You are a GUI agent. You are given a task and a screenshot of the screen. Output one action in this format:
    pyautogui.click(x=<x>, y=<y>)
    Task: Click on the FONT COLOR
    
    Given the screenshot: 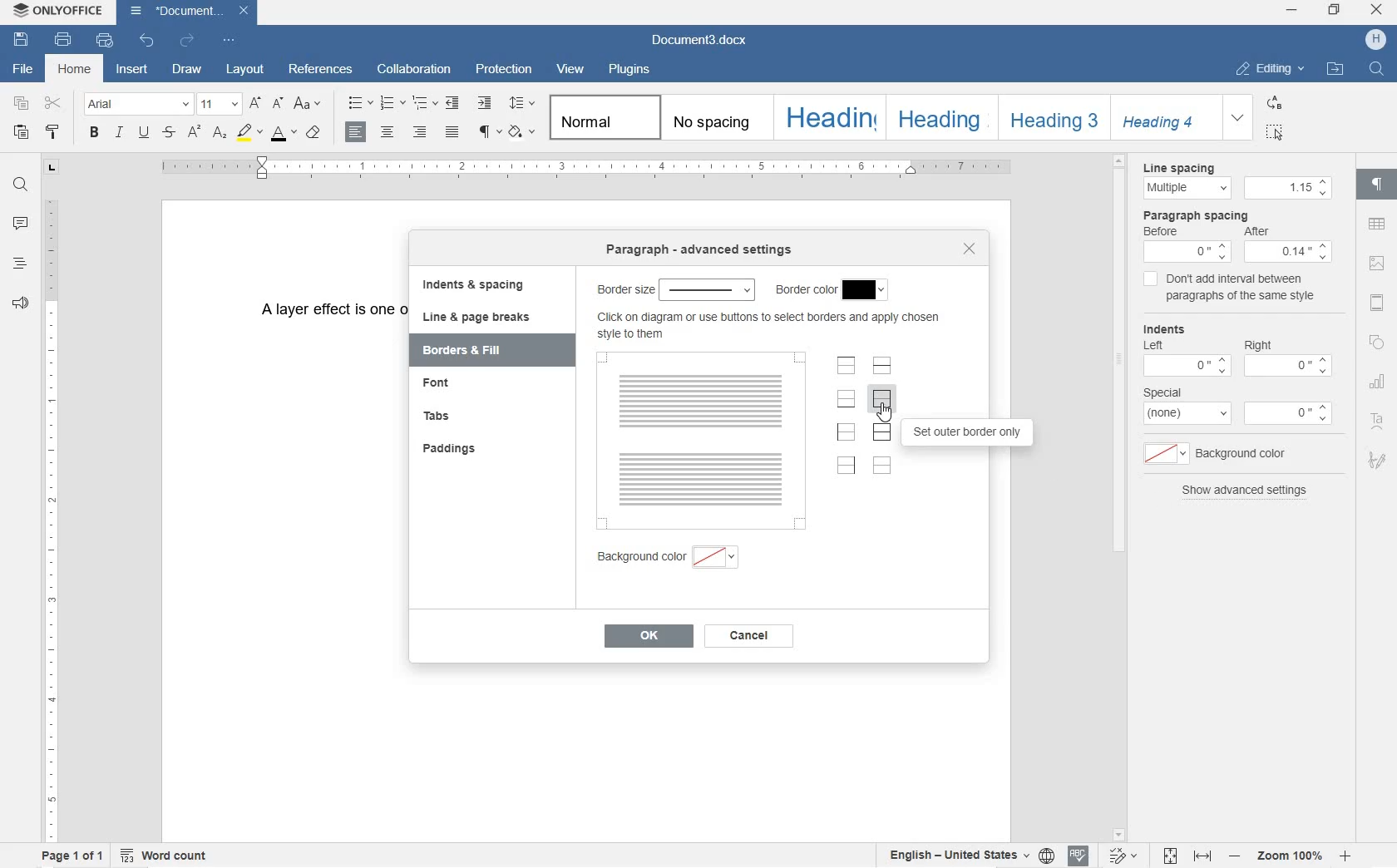 What is the action you would take?
    pyautogui.click(x=285, y=133)
    